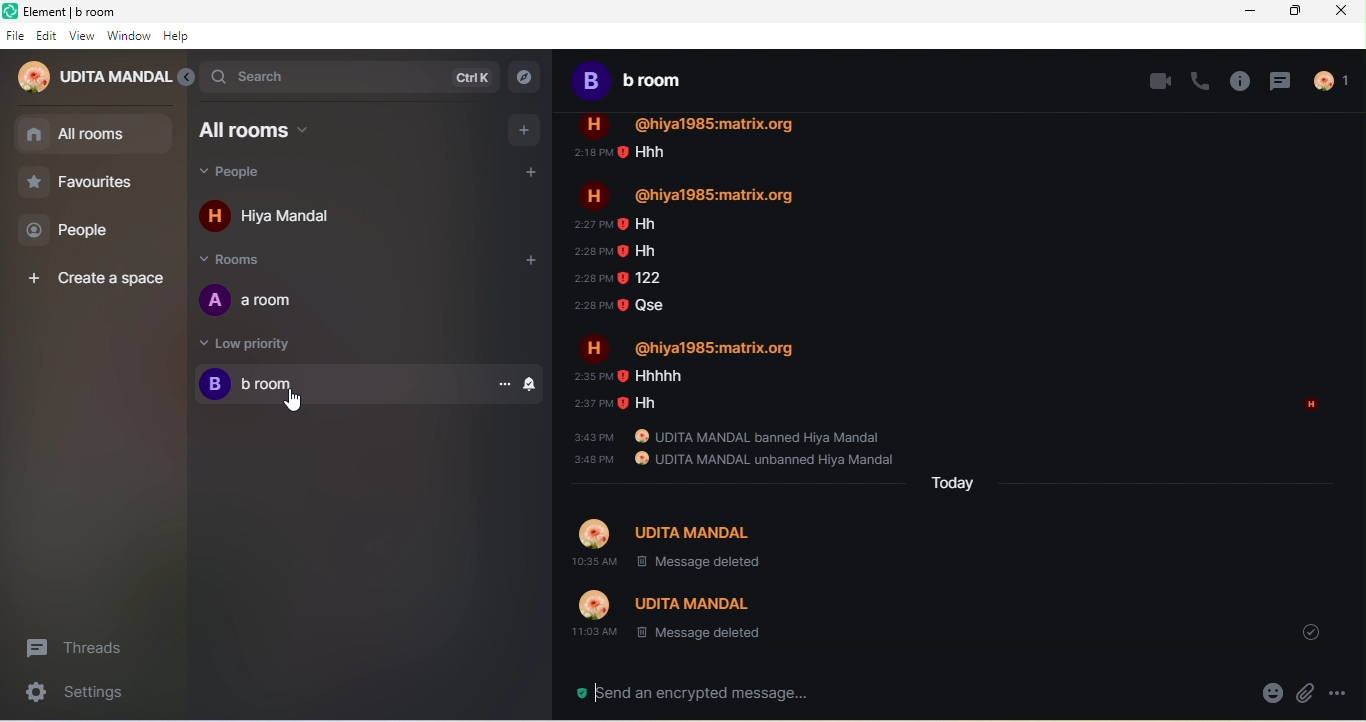 The image size is (1366, 722). What do you see at coordinates (530, 172) in the screenshot?
I see `add people` at bounding box center [530, 172].